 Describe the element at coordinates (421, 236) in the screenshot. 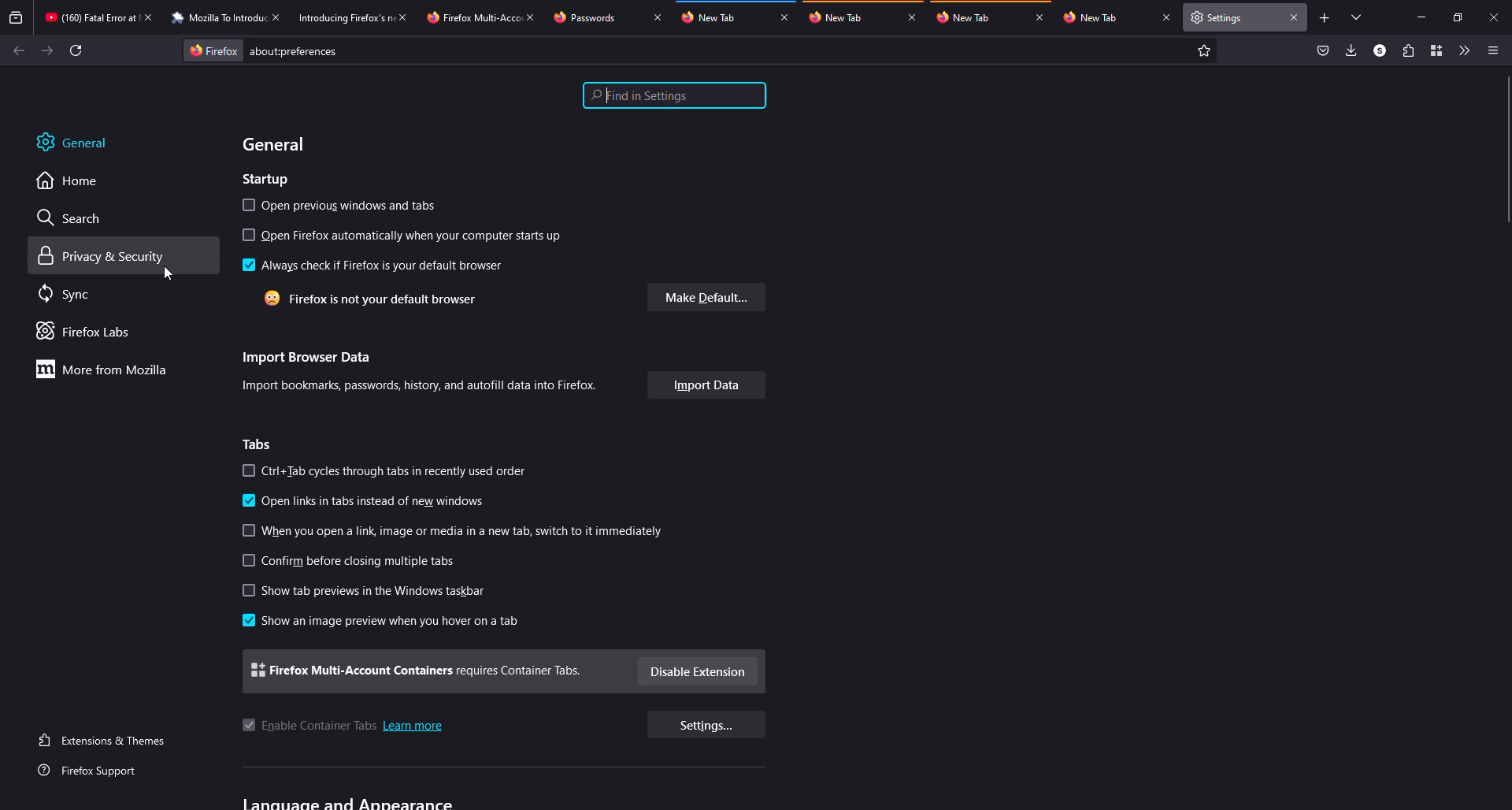

I see `open firefox automatically when your computer starts up` at that location.